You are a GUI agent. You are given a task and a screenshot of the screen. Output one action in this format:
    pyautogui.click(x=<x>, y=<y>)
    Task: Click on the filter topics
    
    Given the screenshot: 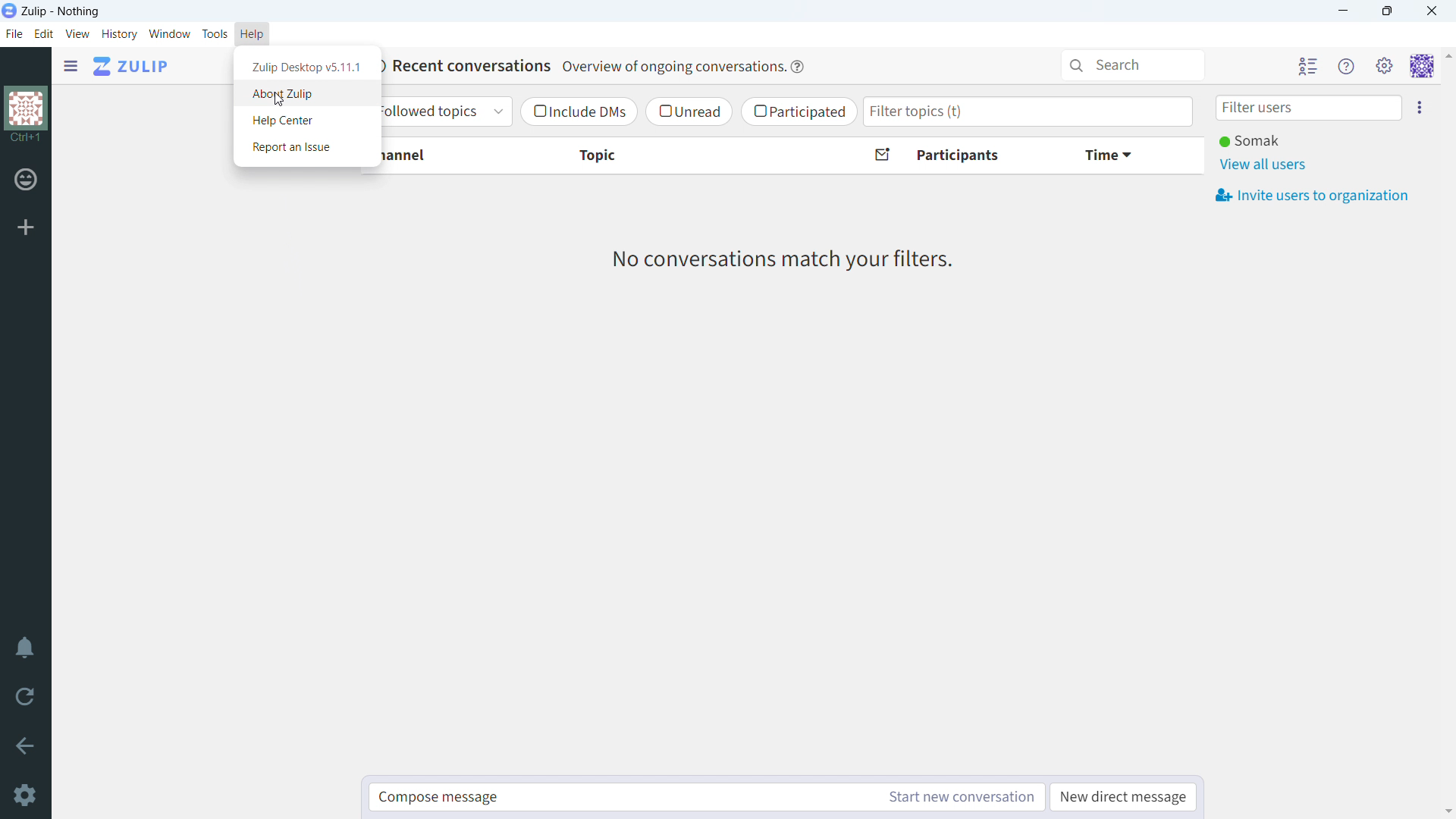 What is the action you would take?
    pyautogui.click(x=1028, y=111)
    